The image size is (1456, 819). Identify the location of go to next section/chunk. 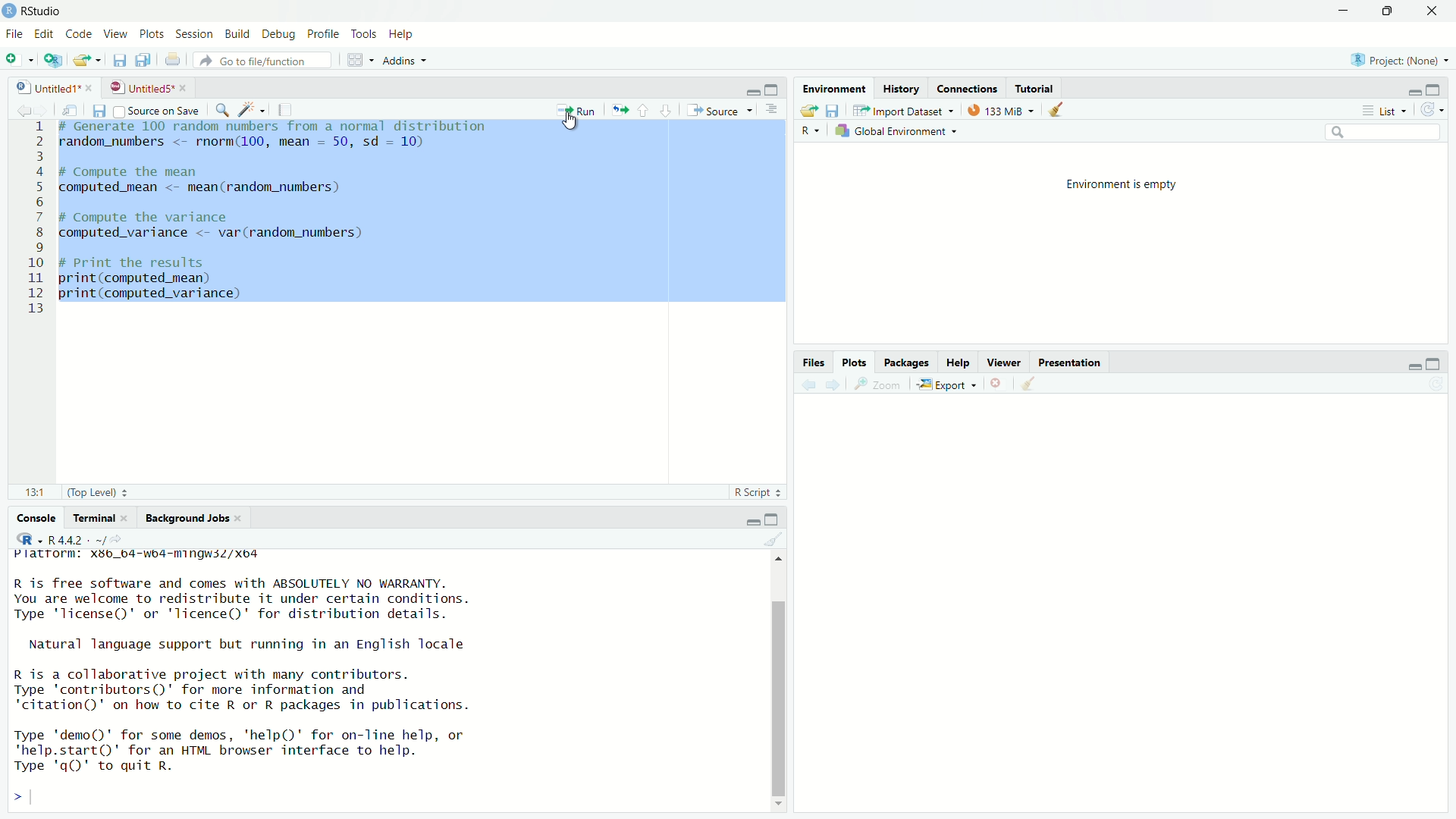
(667, 110).